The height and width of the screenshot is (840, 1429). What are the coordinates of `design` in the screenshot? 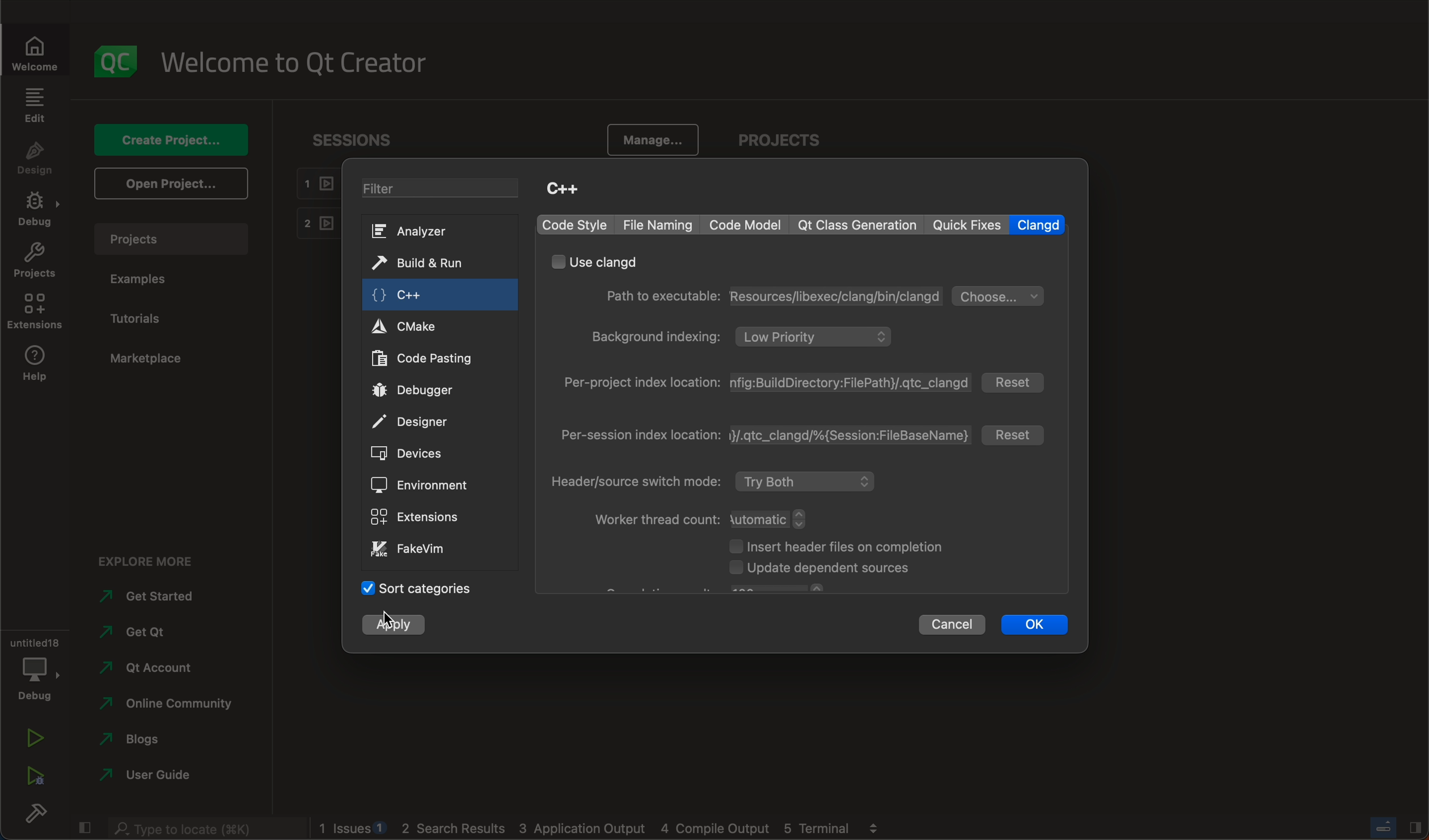 It's located at (34, 159).